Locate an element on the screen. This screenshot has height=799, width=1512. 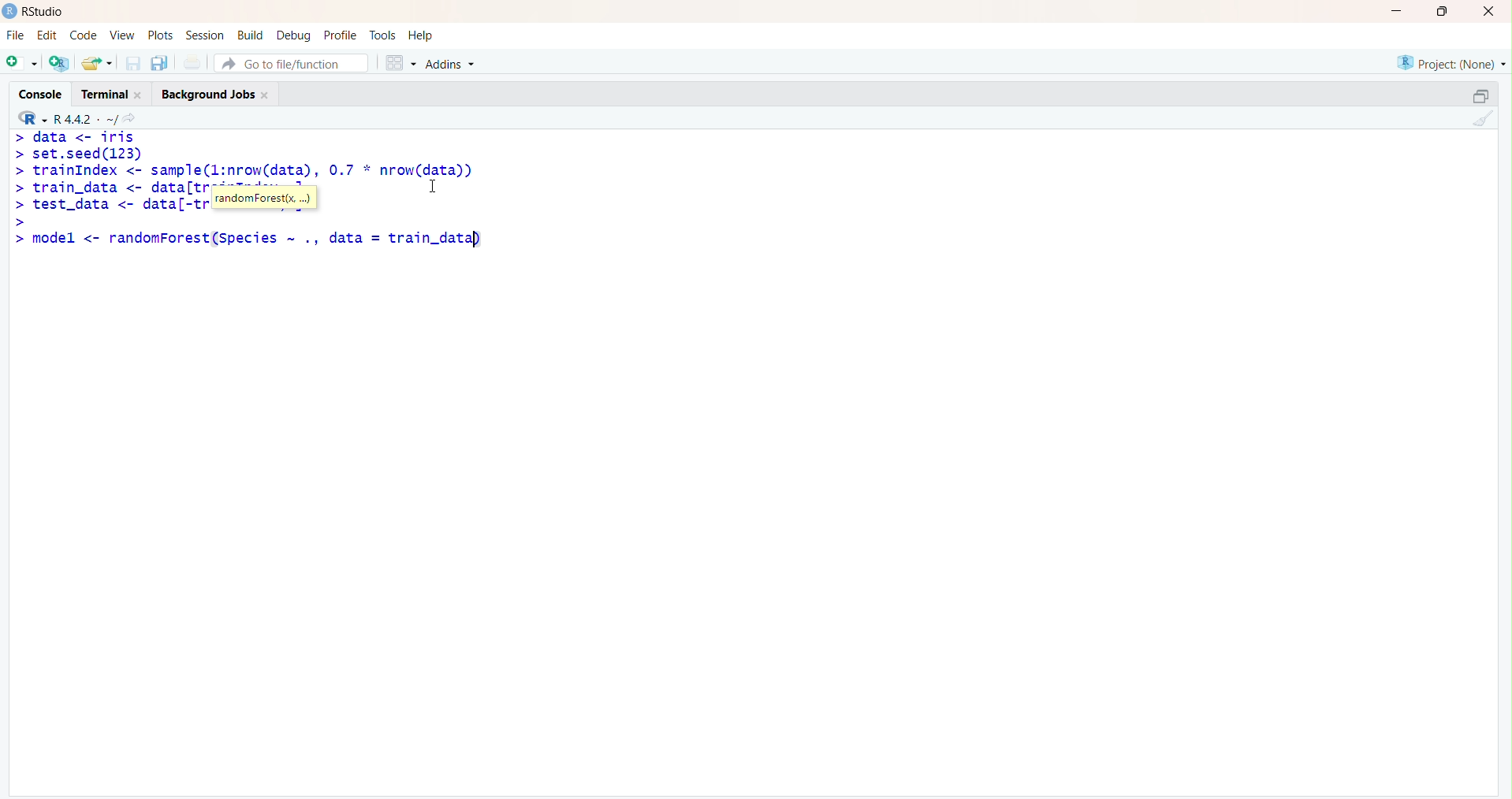
Code is located at coordinates (82, 35).